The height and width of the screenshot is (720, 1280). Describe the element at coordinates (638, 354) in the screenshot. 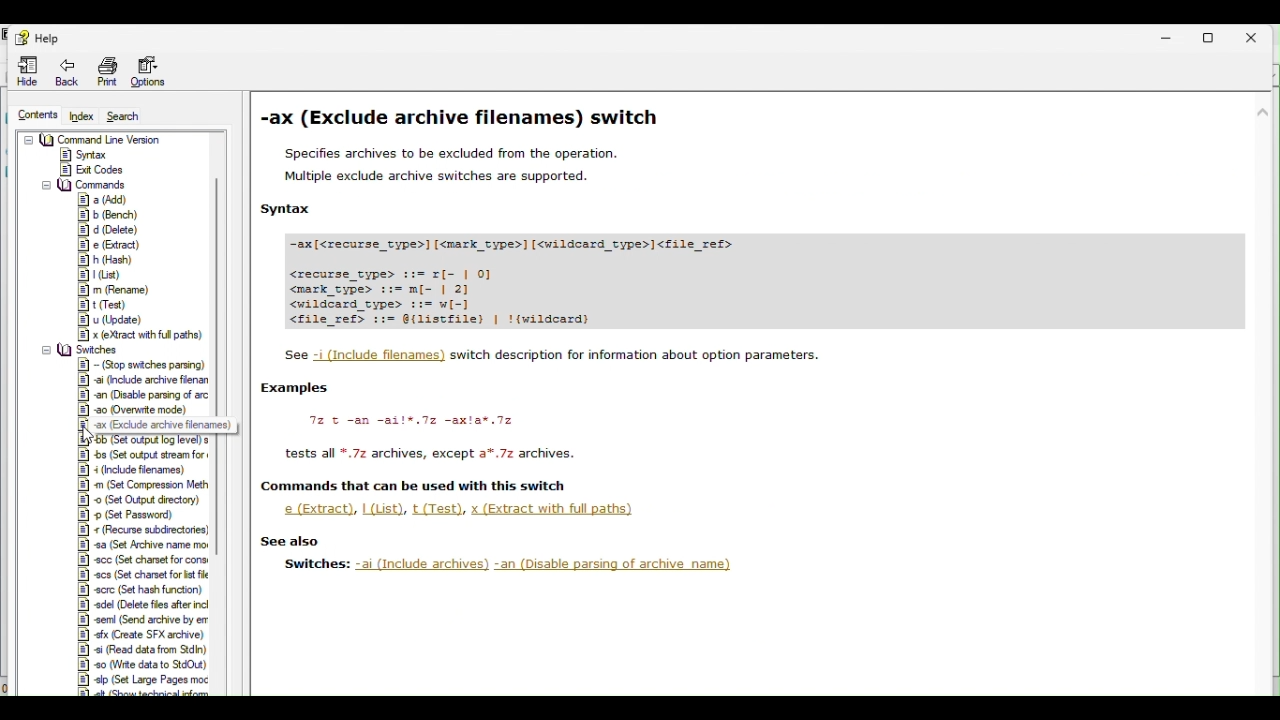

I see `switch description for information about option parameters.` at that location.